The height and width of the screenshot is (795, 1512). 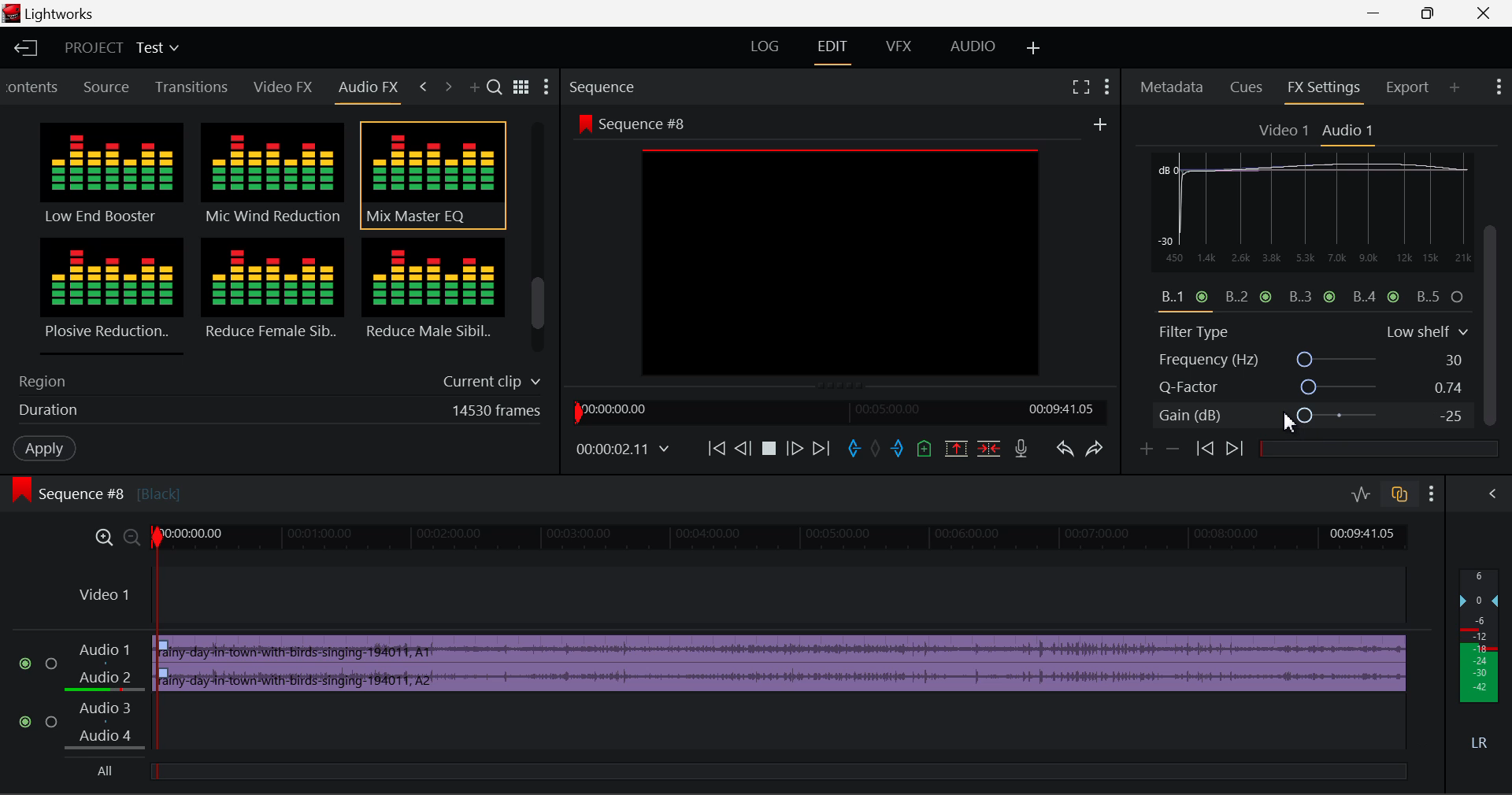 I want to click on EQ Graph, so click(x=1303, y=244).